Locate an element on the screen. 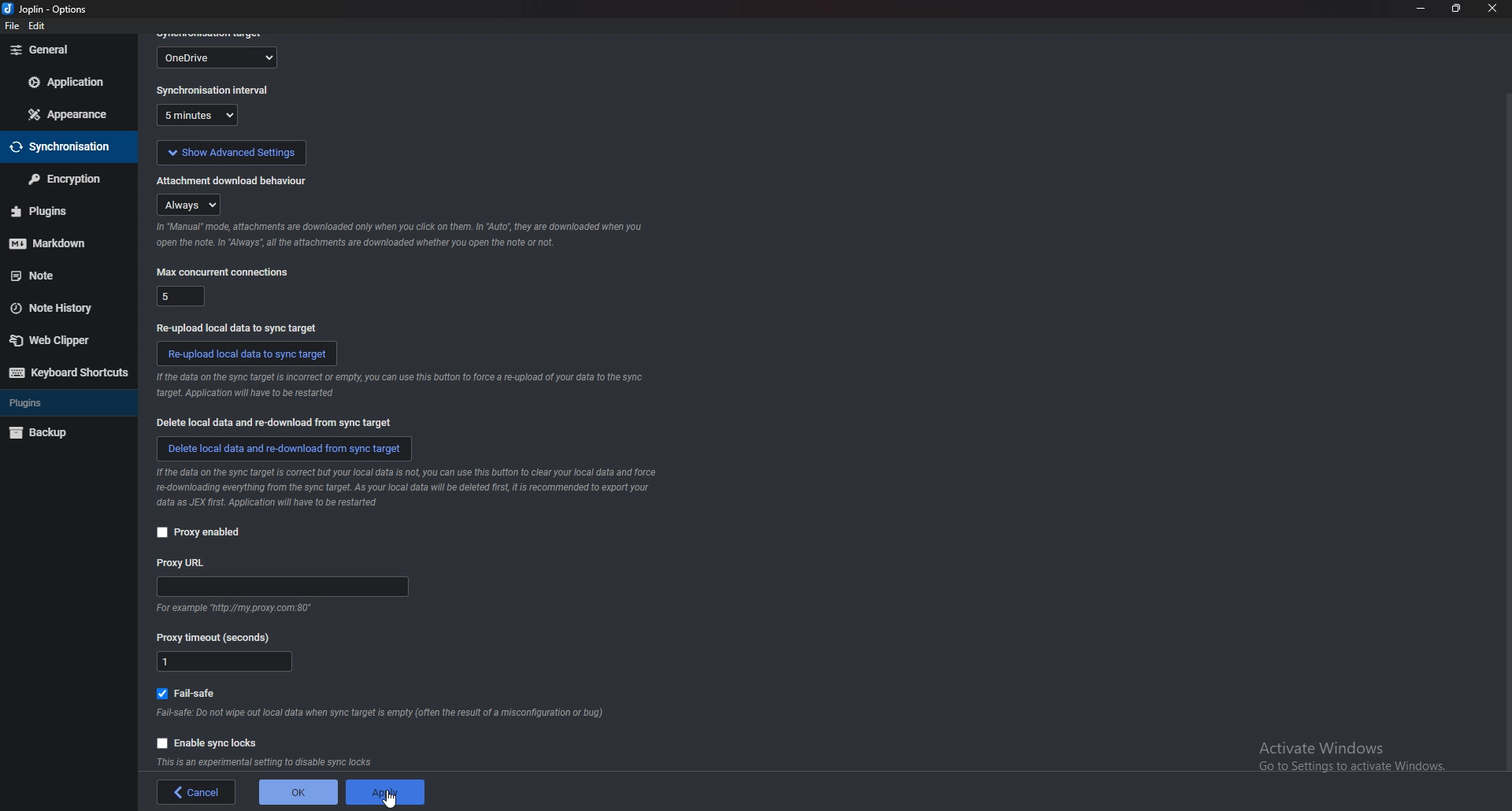 Image resolution: width=1512 pixels, height=811 pixels. Activate Windows is located at coordinates (1350, 752).